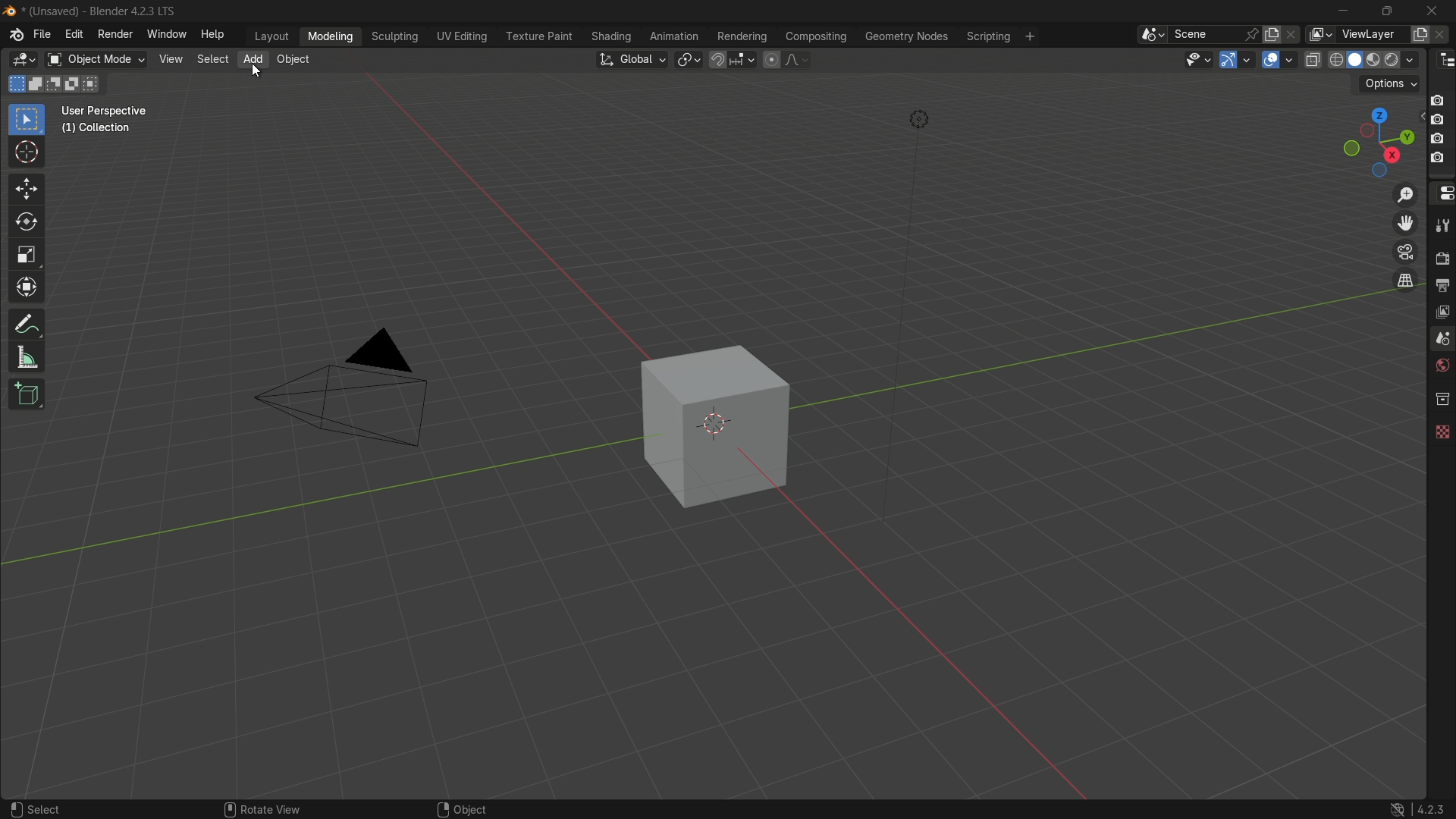 Image resolution: width=1456 pixels, height=819 pixels. I want to click on add workplace, so click(1029, 36).